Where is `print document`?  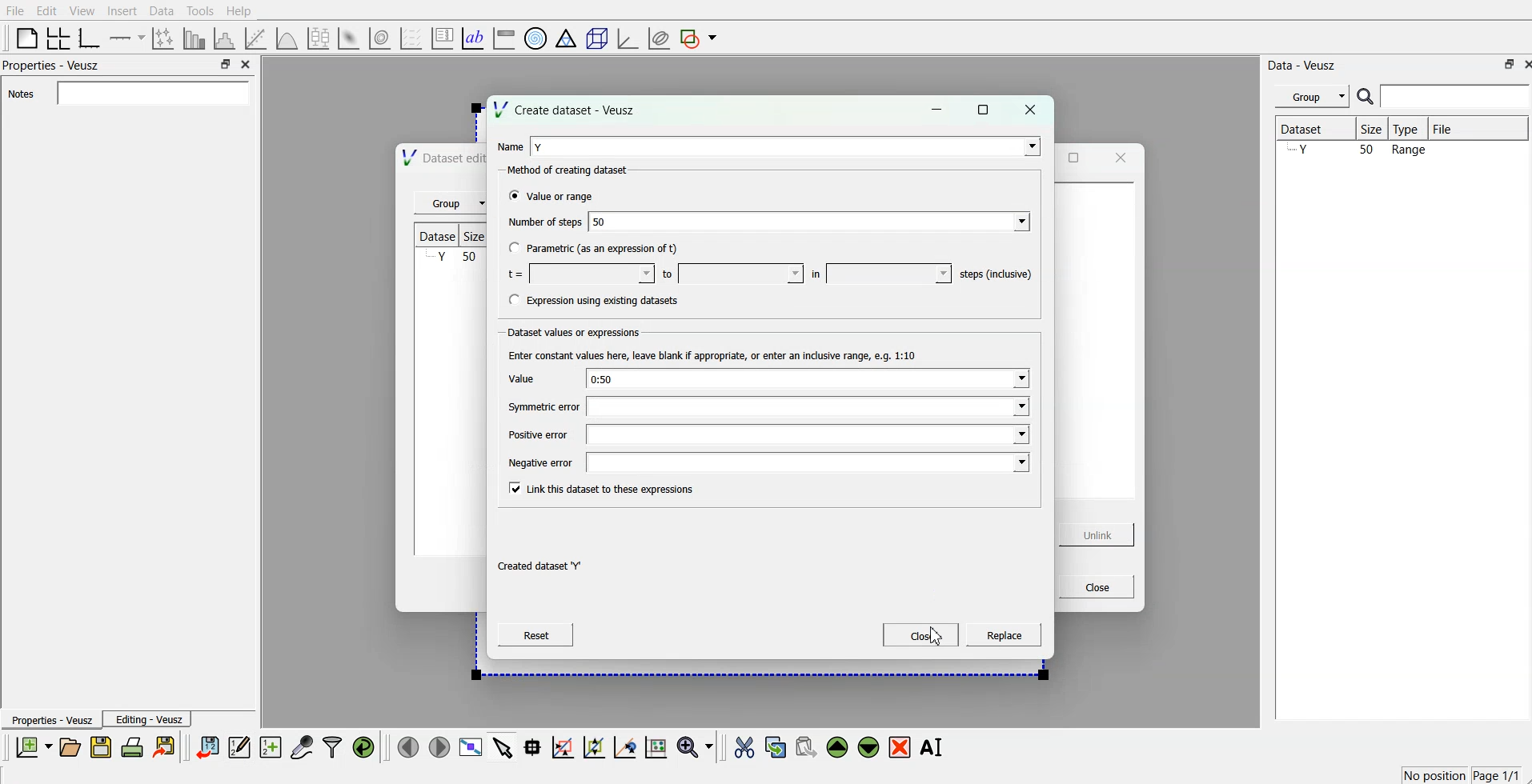 print document is located at coordinates (133, 749).